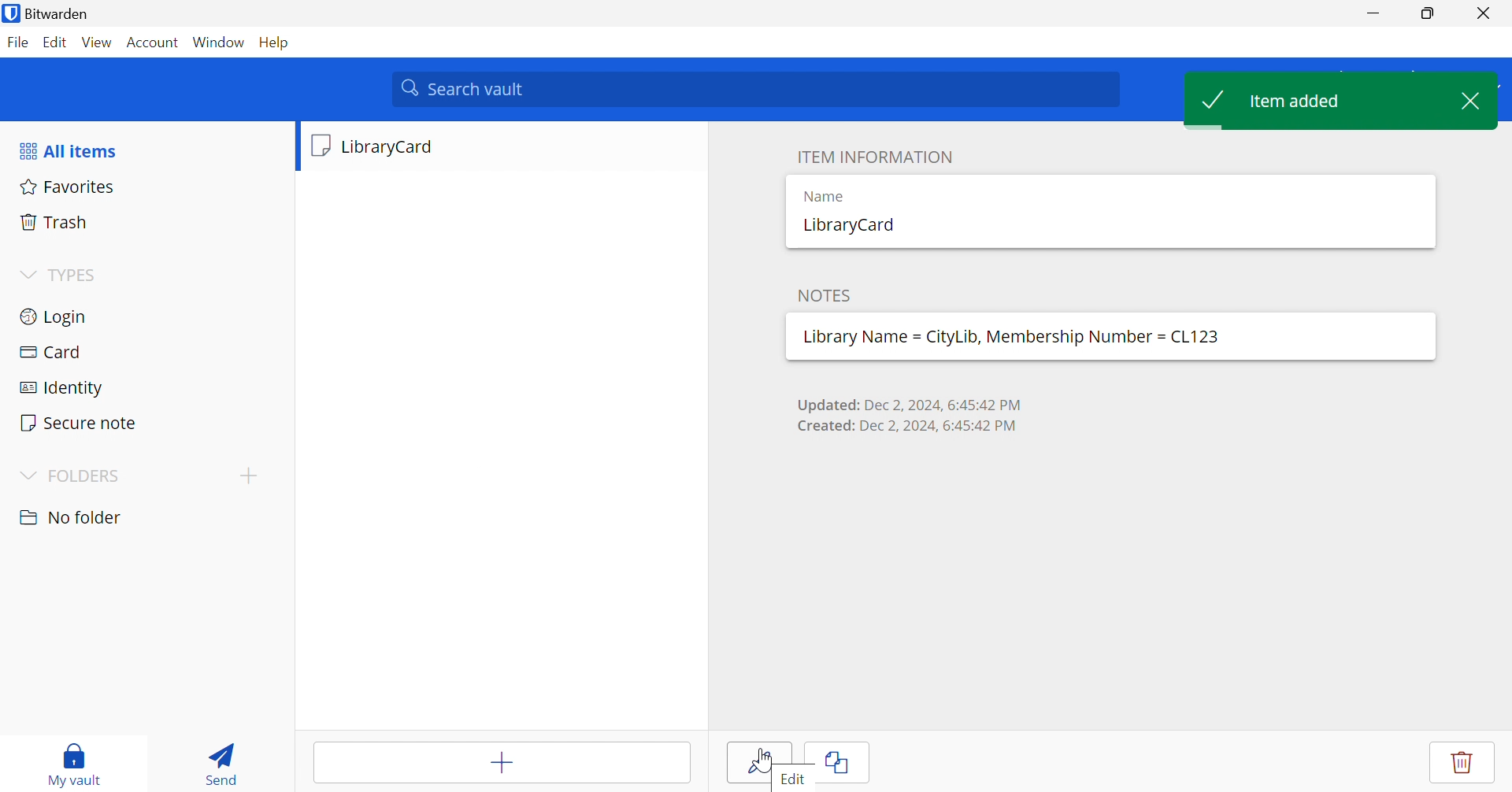  I want to click on Window, so click(220, 42).